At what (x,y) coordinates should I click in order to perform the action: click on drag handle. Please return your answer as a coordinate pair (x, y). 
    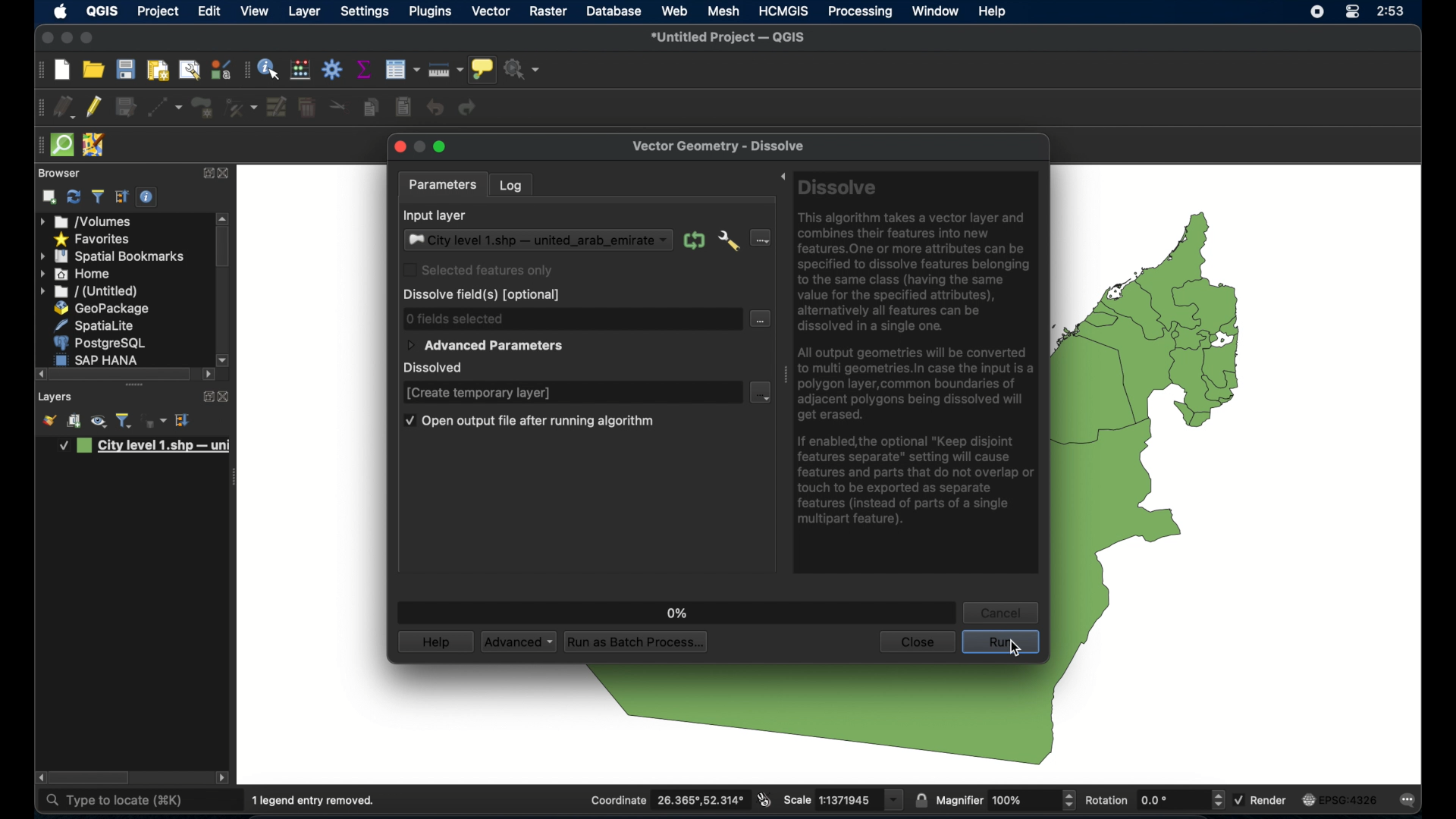
    Looking at the image, I should click on (237, 476).